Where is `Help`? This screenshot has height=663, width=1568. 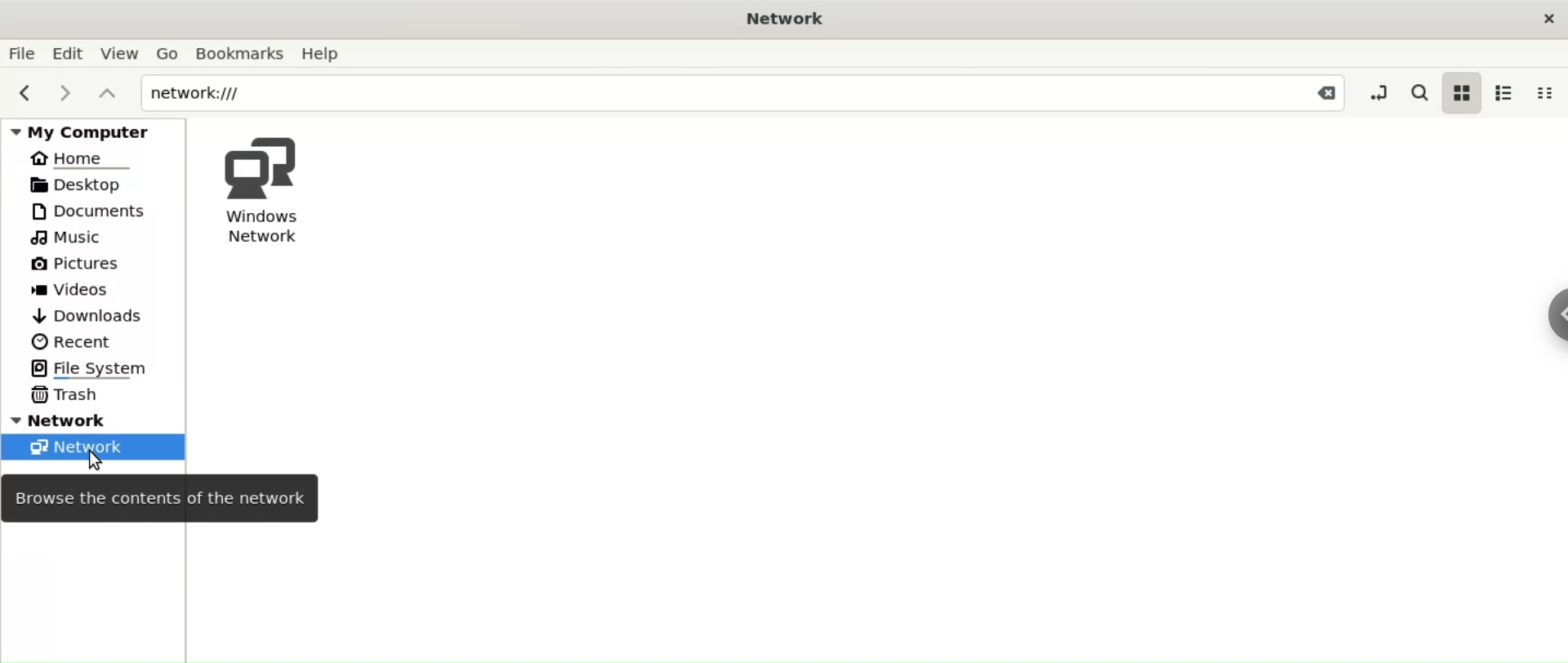 Help is located at coordinates (323, 54).